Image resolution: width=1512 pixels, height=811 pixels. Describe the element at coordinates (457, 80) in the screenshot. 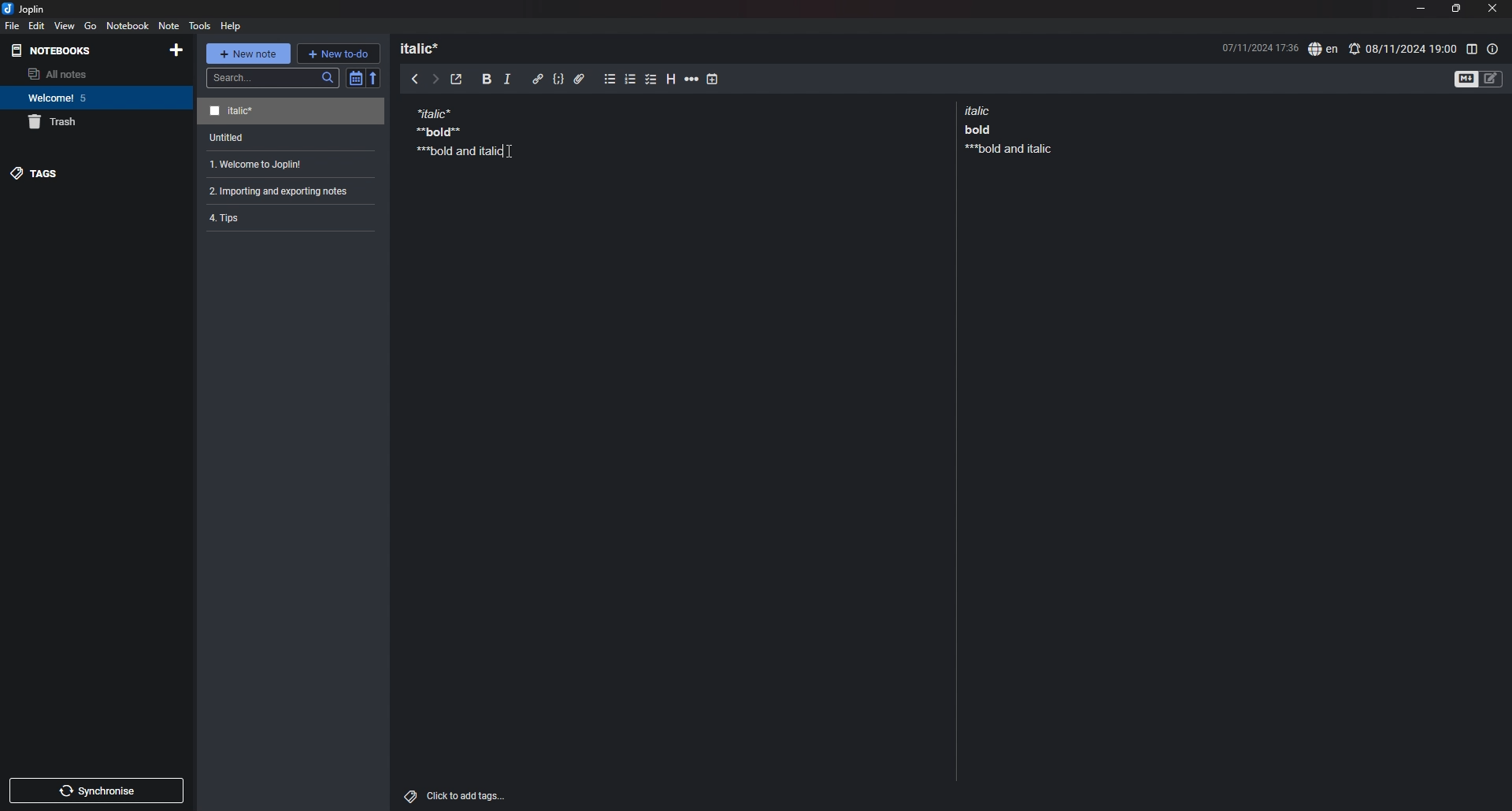

I see `toggle external editor` at that location.